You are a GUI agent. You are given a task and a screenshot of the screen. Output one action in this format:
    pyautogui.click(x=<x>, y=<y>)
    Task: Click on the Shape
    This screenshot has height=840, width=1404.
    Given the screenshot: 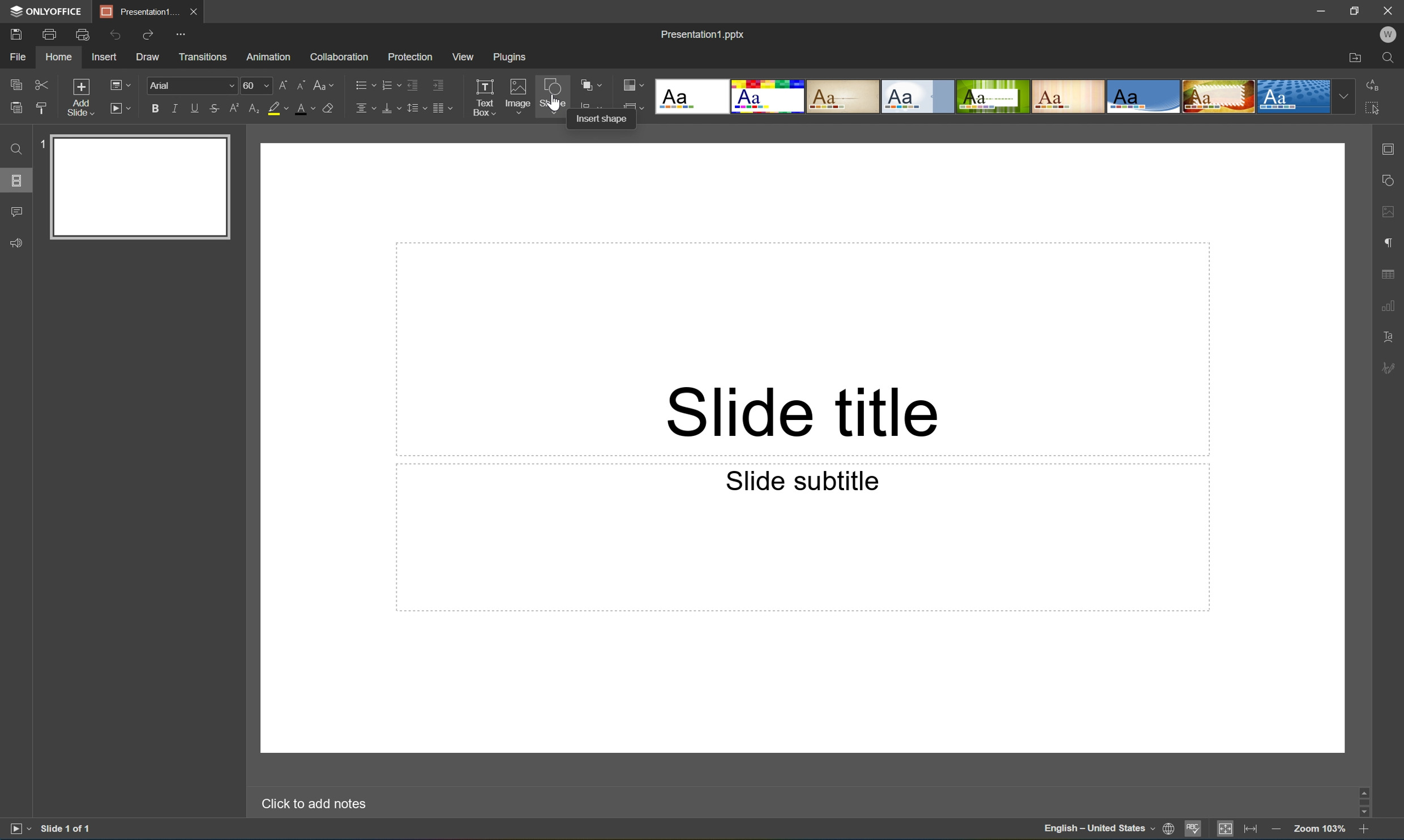 What is the action you would take?
    pyautogui.click(x=551, y=97)
    